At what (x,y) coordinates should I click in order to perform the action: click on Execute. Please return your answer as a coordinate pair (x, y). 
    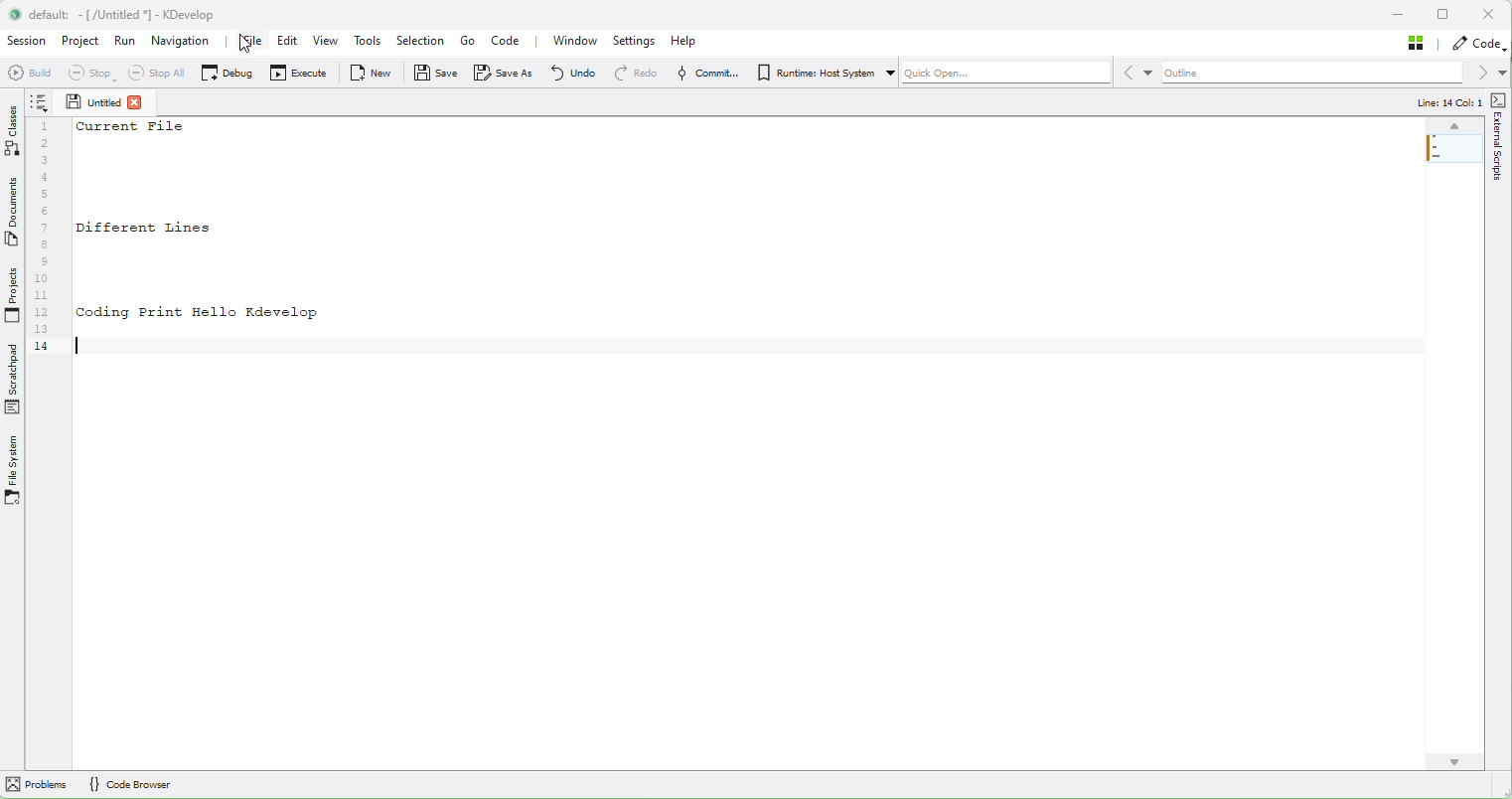
    Looking at the image, I should click on (294, 72).